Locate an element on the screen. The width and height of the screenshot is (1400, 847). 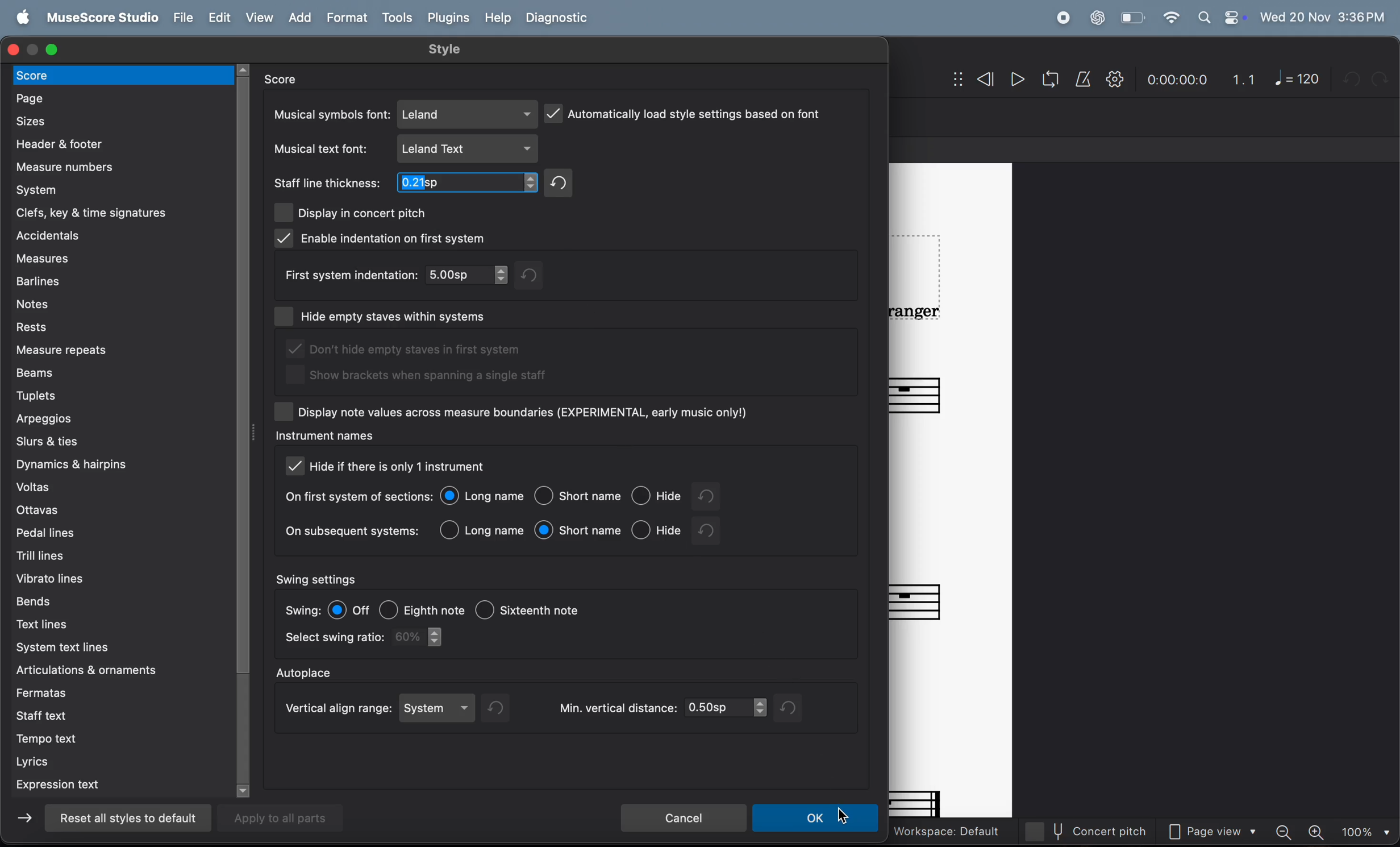
long name is located at coordinates (484, 529).